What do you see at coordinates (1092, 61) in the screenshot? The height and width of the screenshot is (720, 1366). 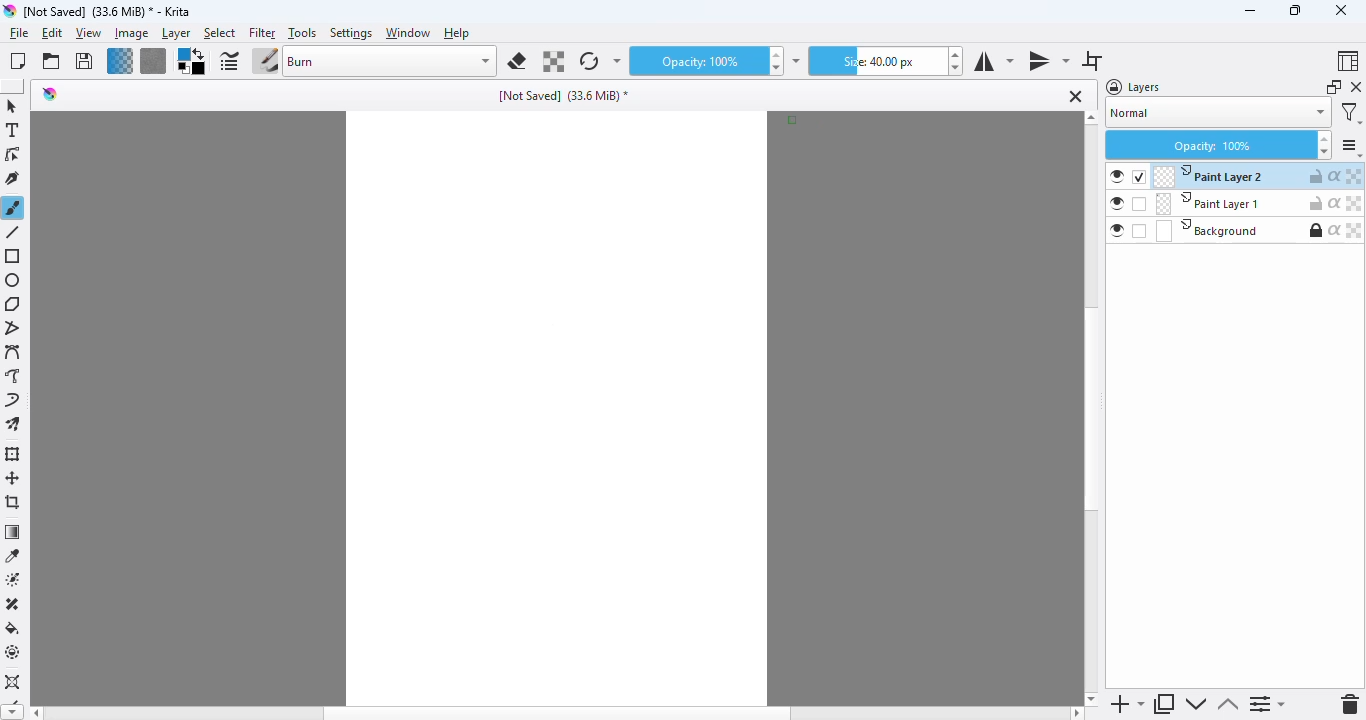 I see `wrap around mode` at bounding box center [1092, 61].